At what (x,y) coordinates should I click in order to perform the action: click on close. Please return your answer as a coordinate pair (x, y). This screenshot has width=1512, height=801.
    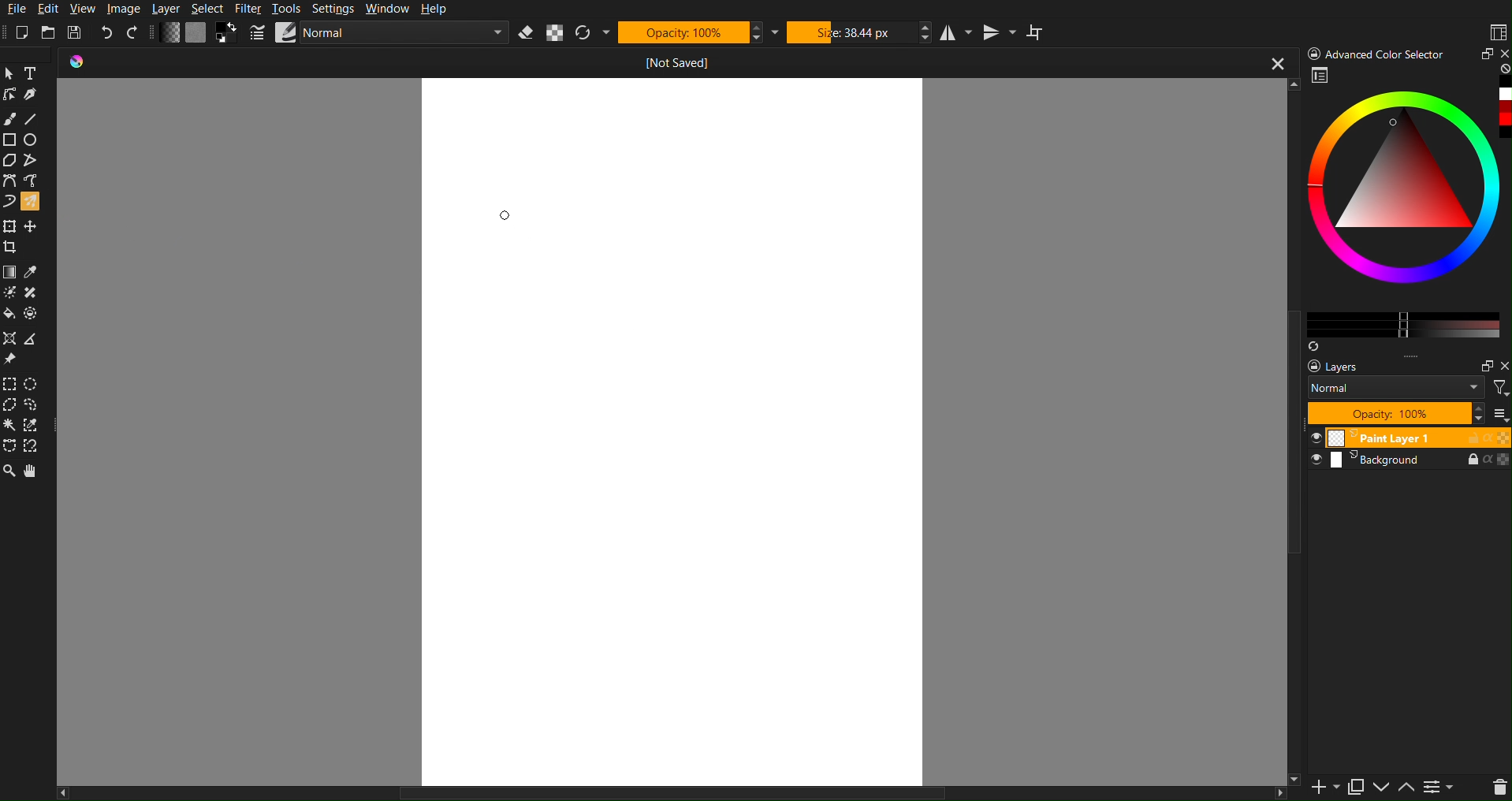
    Looking at the image, I should click on (1503, 52).